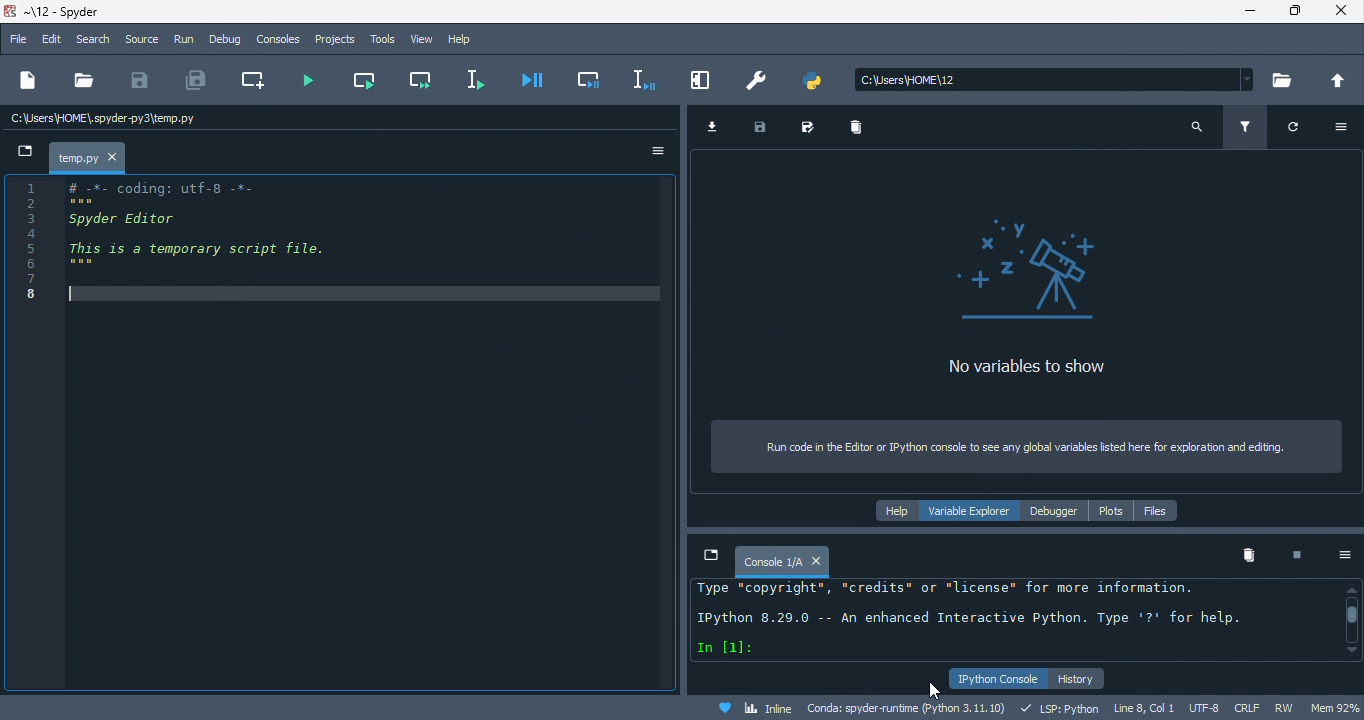 The height and width of the screenshot is (720, 1364). Describe the element at coordinates (1289, 708) in the screenshot. I see `rw` at that location.